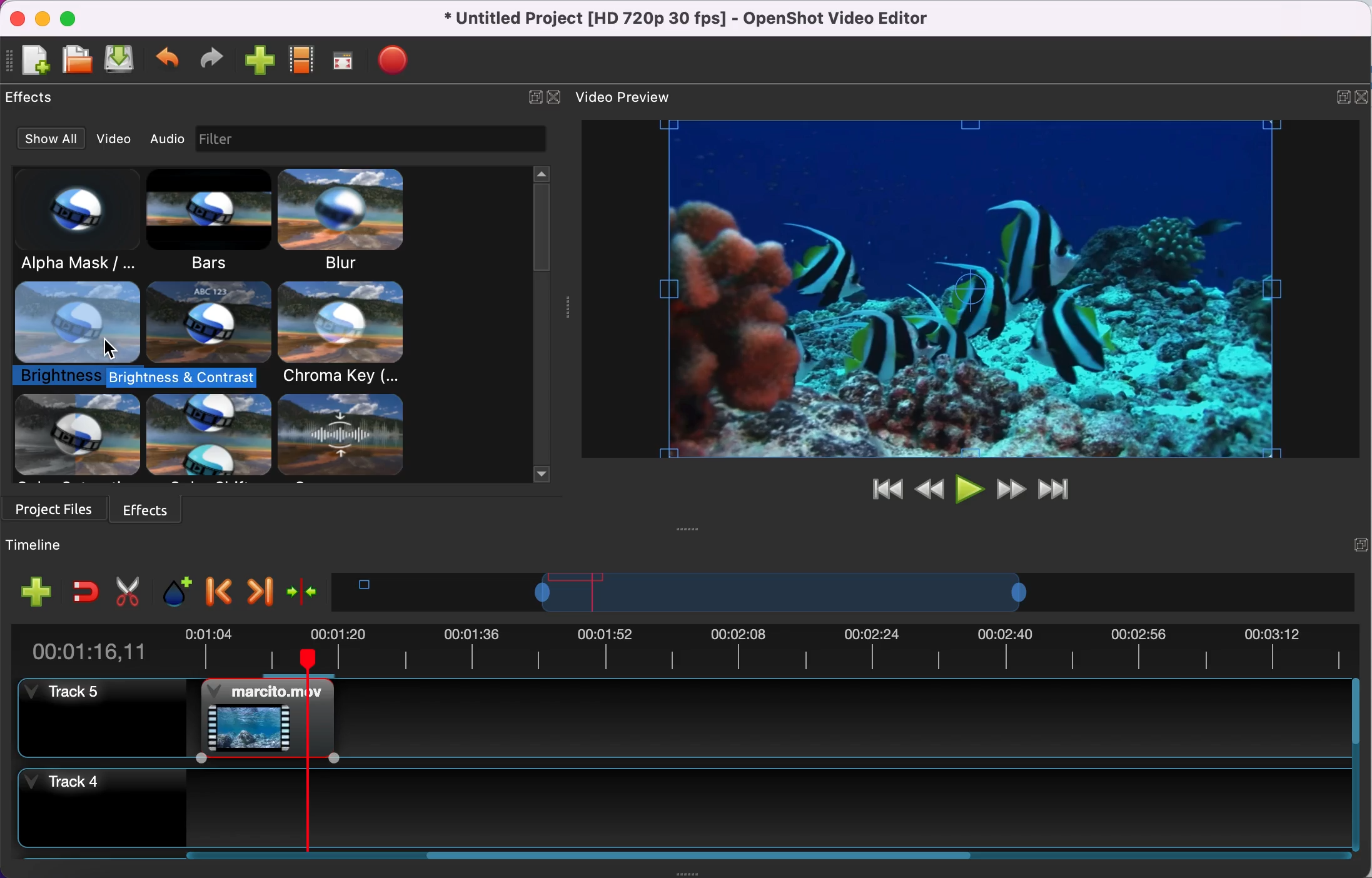  I want to click on Horizontal slide bar, so click(753, 855).